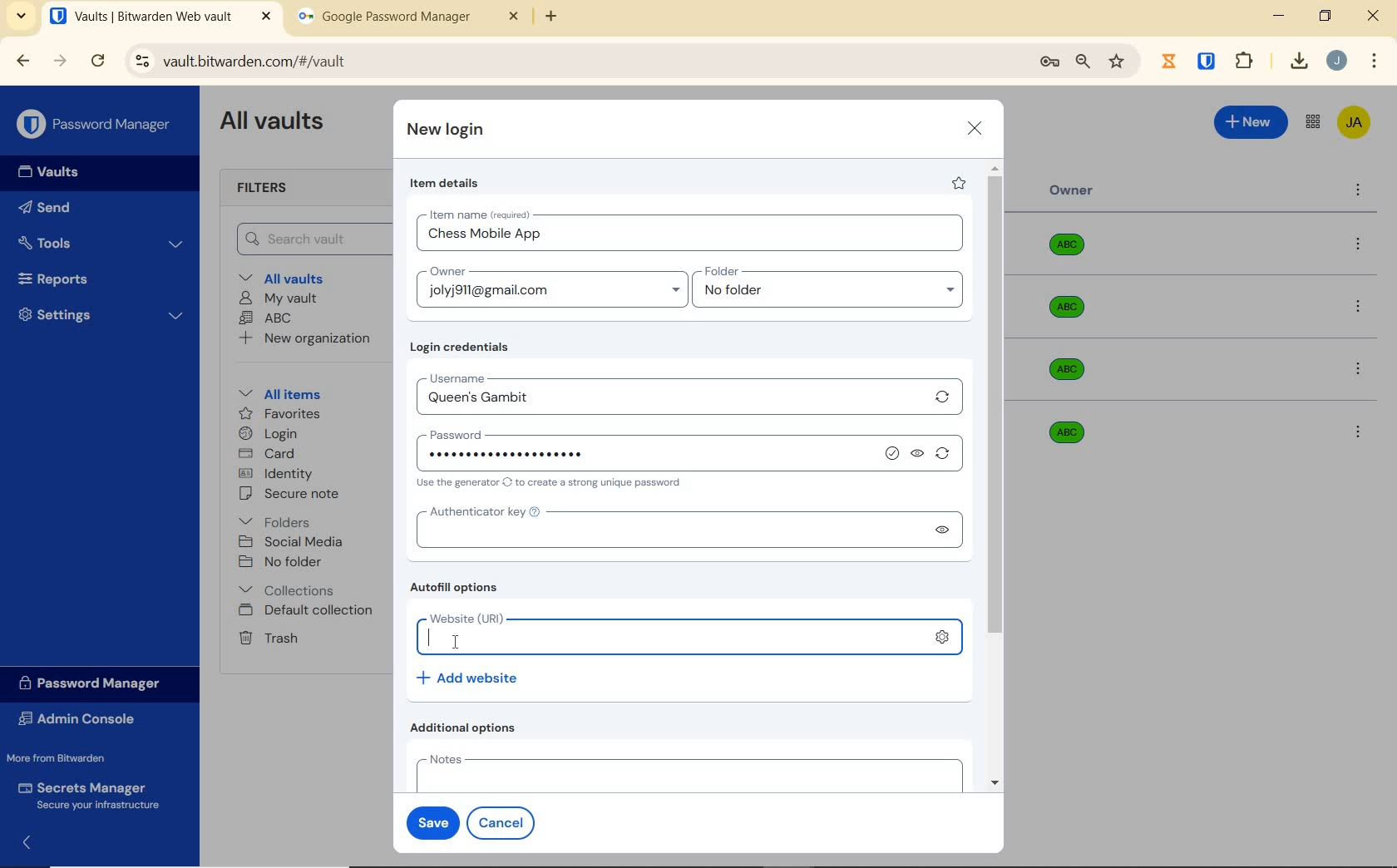 The height and width of the screenshot is (868, 1397). I want to click on jolyj91@gmail.com, so click(555, 293).